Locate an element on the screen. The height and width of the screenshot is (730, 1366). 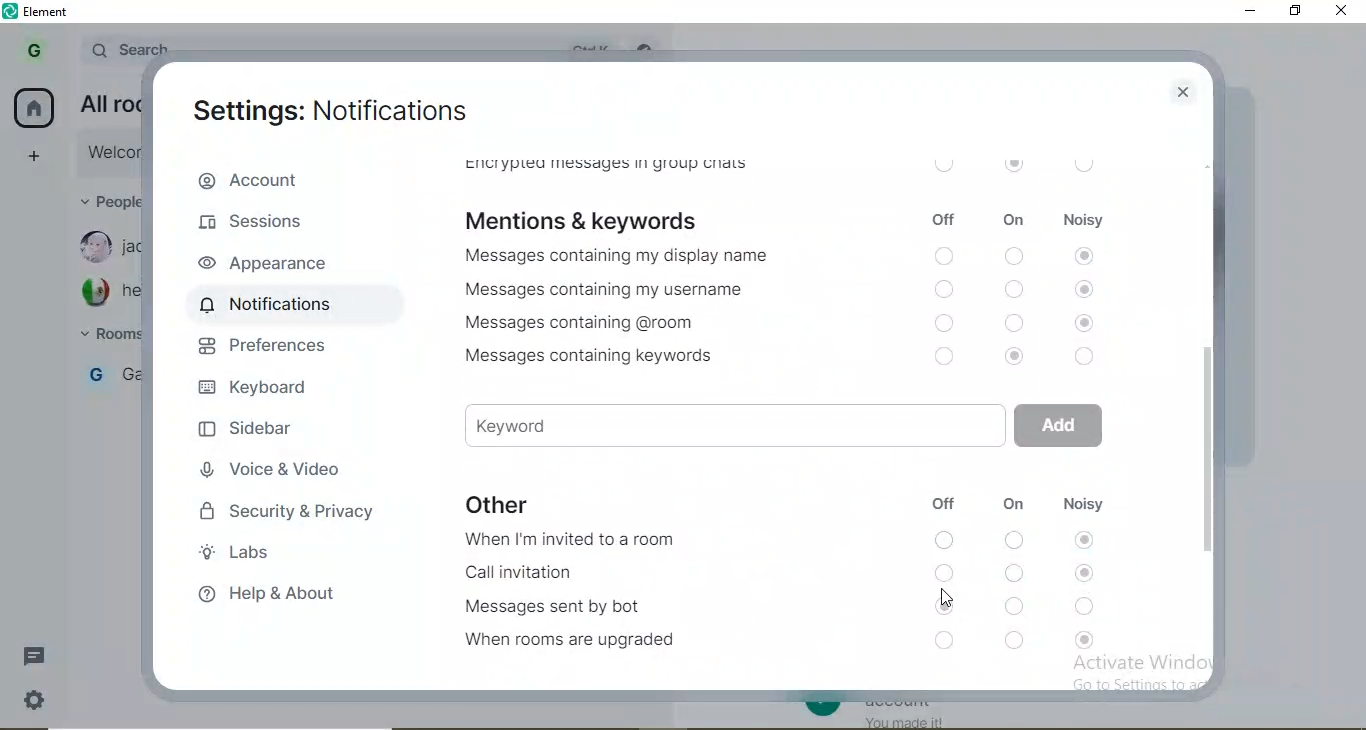
add is located at coordinates (1060, 425).